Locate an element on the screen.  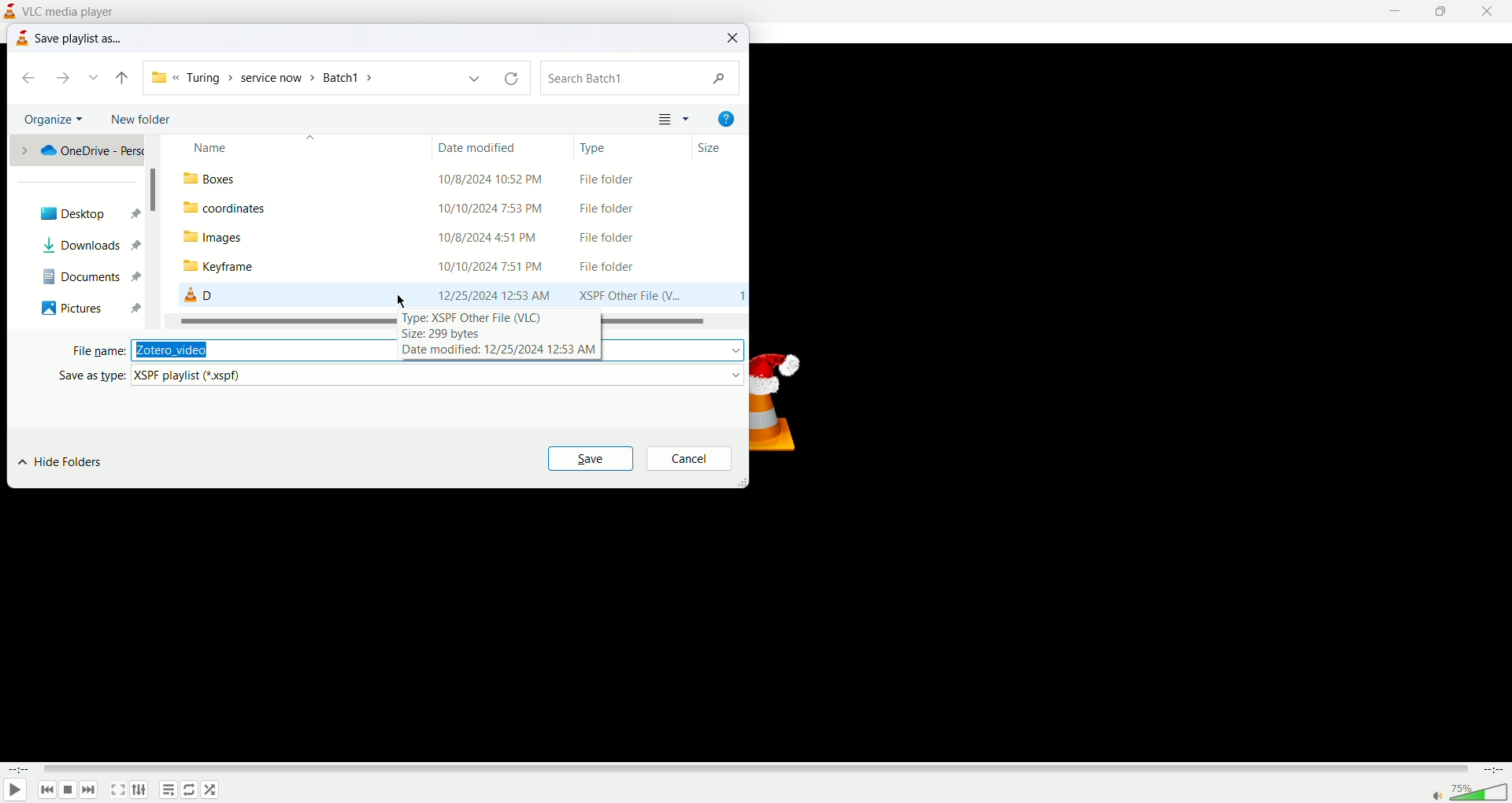
app icon is located at coordinates (21, 39).